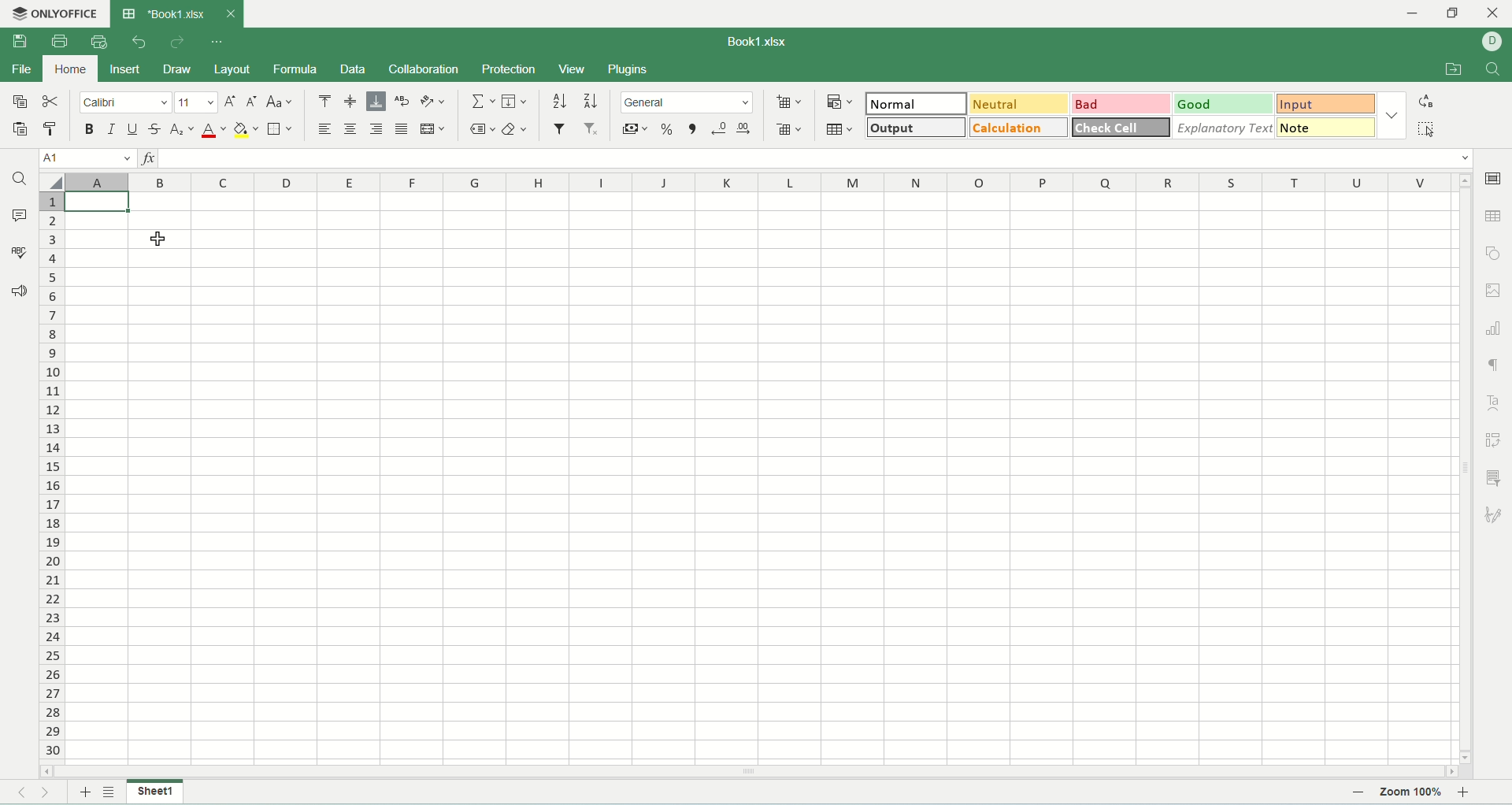 This screenshot has width=1512, height=805. What do you see at coordinates (843, 129) in the screenshot?
I see `format as table template` at bounding box center [843, 129].